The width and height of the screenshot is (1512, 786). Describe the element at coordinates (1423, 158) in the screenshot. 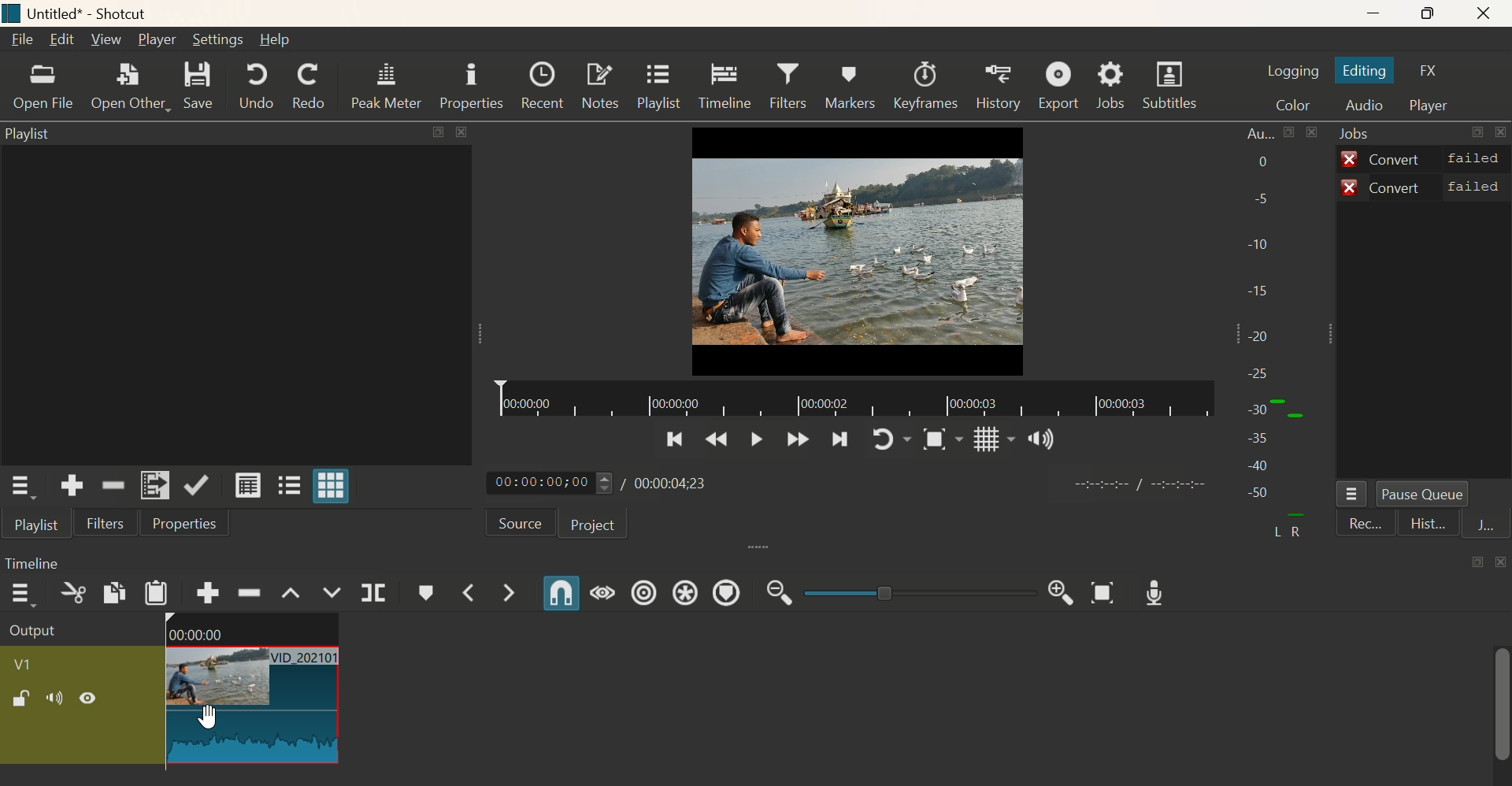

I see `Convert` at that location.